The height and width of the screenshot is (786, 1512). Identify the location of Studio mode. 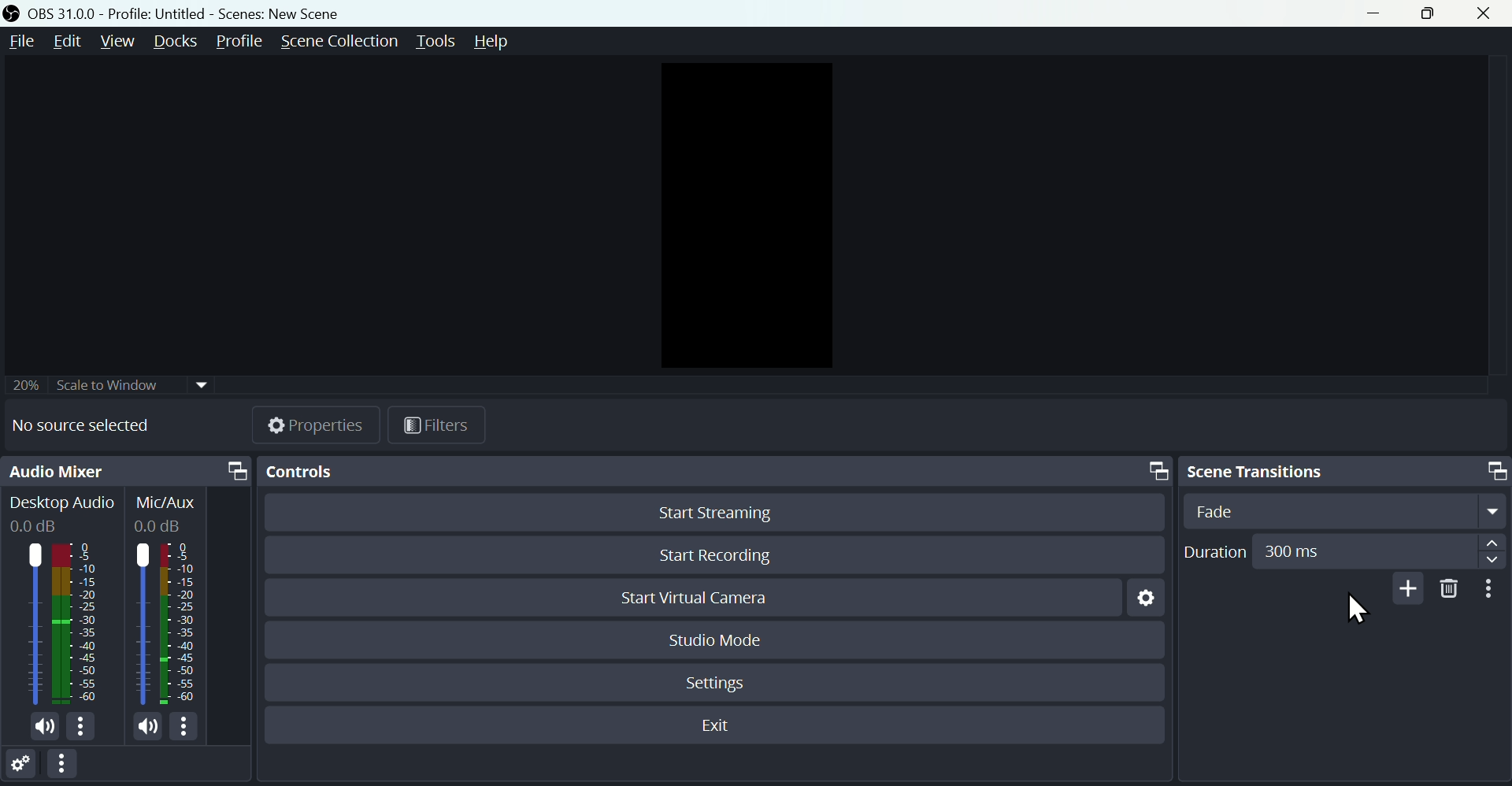
(717, 637).